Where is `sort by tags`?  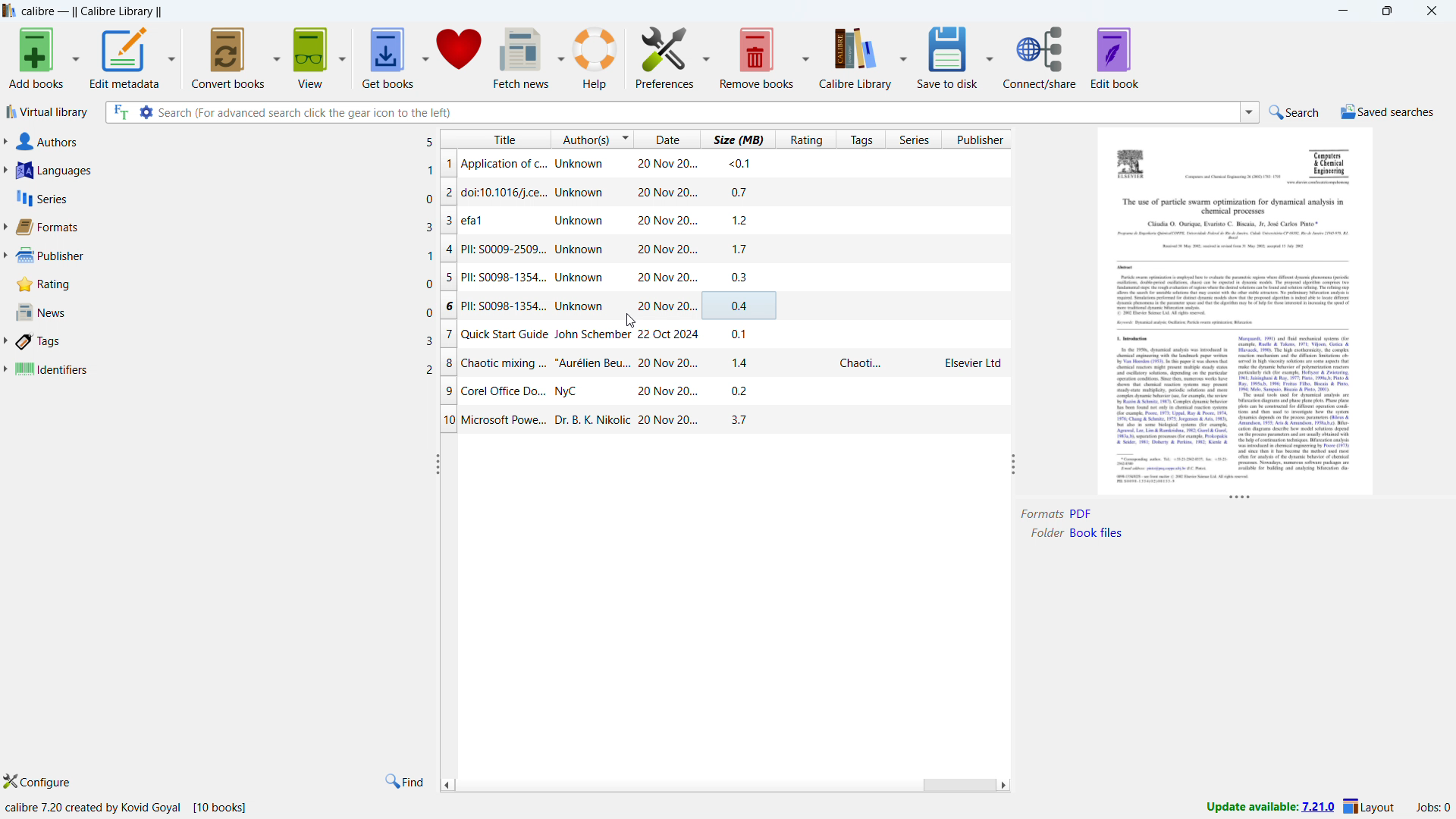
sort by tags is located at coordinates (859, 139).